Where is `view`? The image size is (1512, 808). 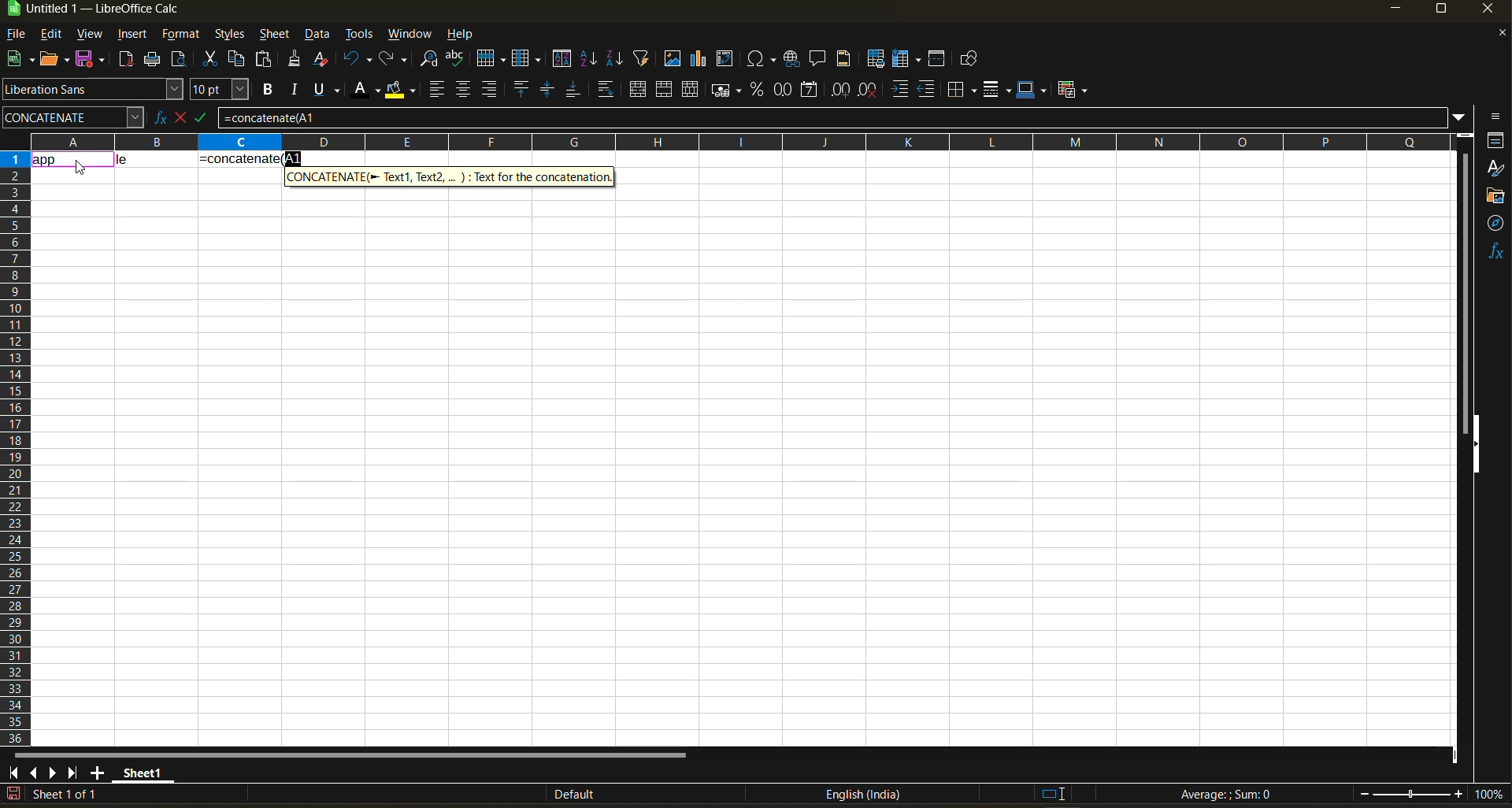
view is located at coordinates (89, 35).